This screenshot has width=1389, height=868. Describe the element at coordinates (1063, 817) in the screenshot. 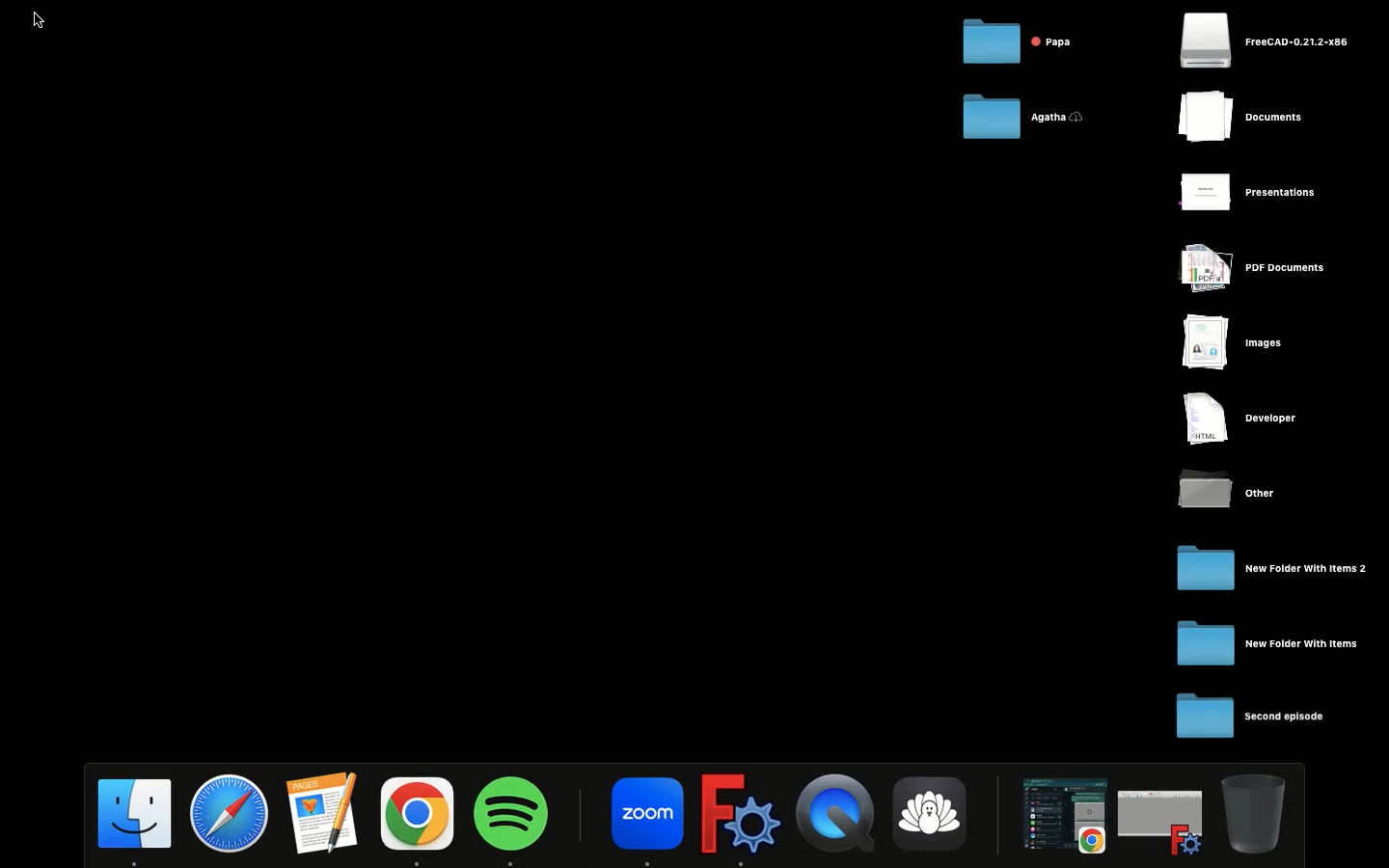

I see `Minimized the application` at that location.